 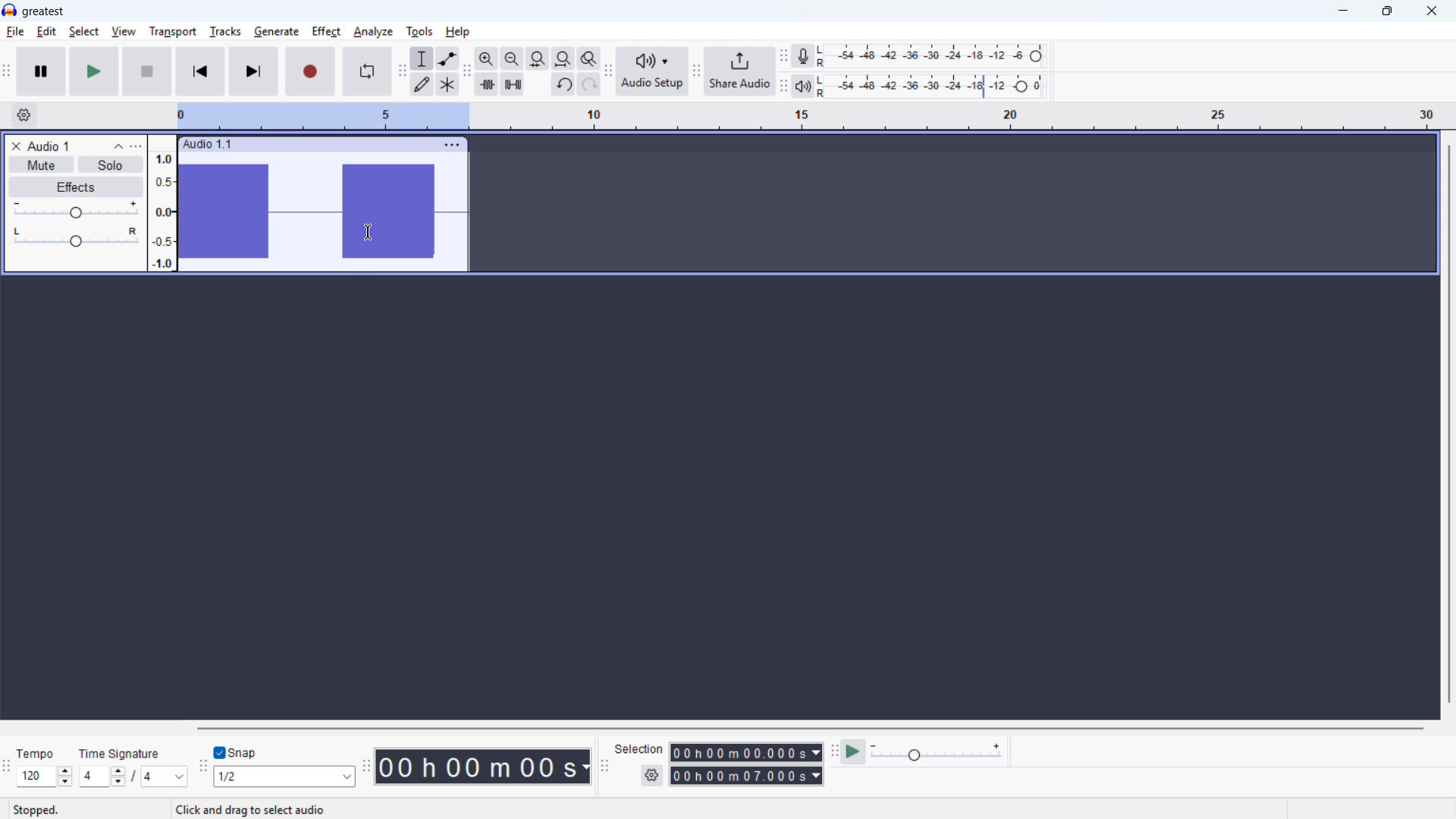 I want to click on Play at speed , so click(x=853, y=753).